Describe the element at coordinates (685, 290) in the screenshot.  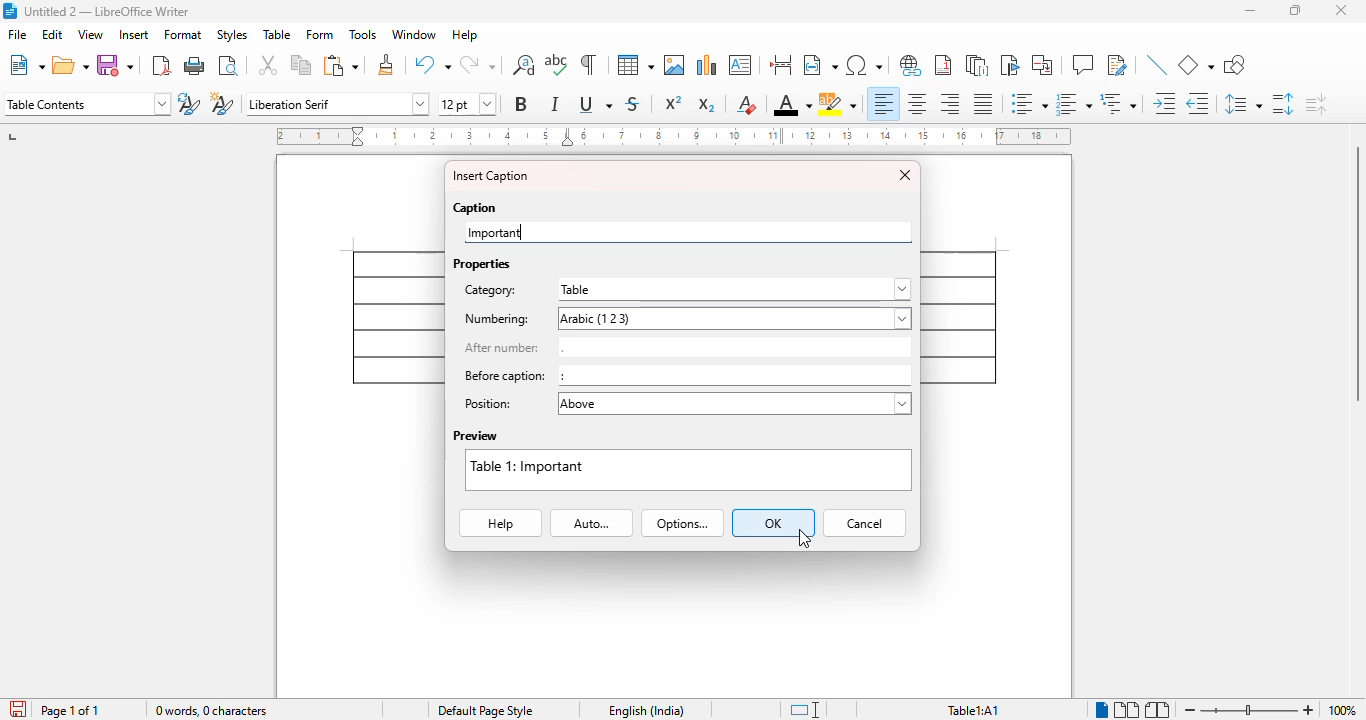
I see `category: table` at that location.